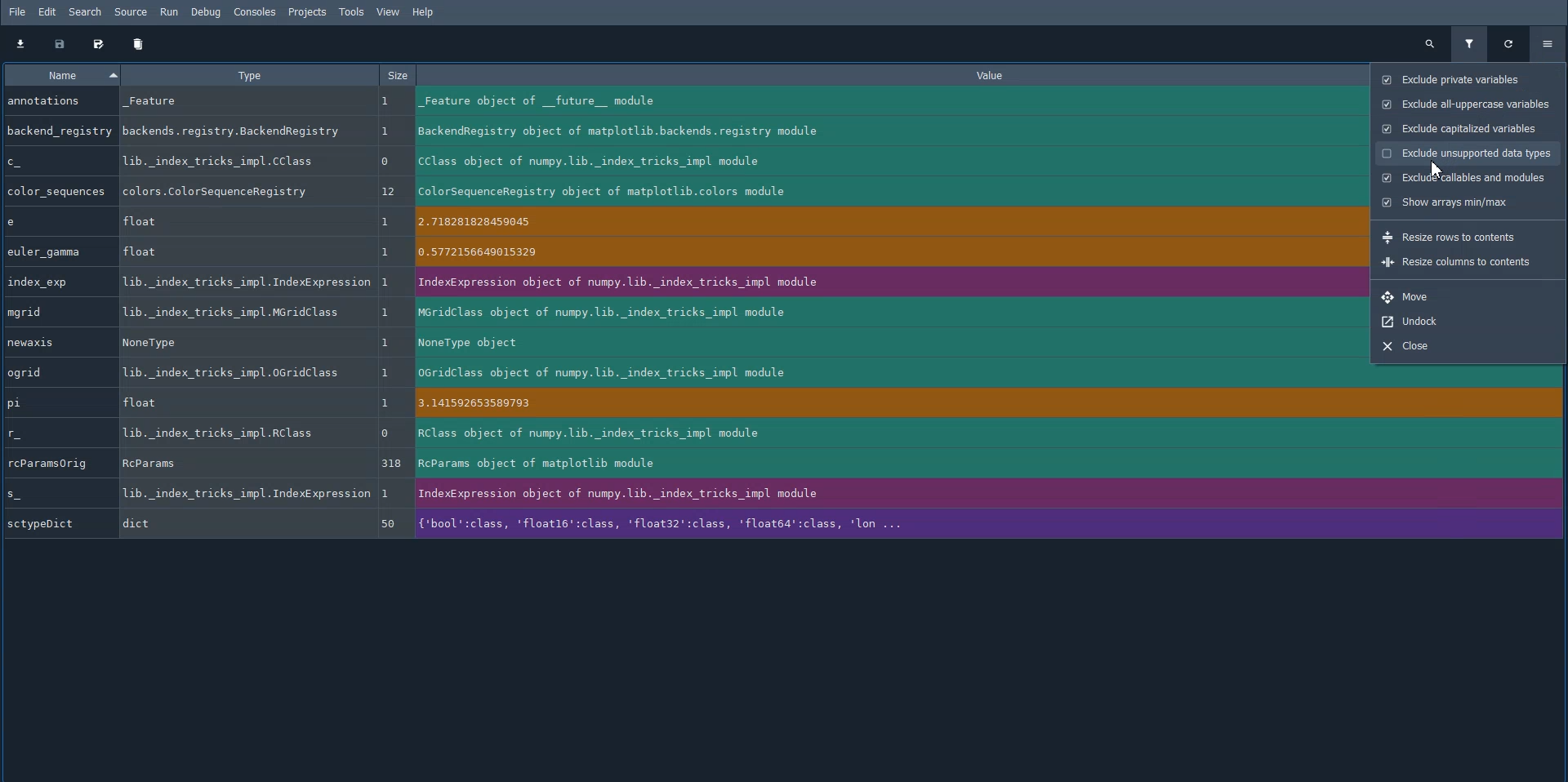  I want to click on _Feature object of _ future__ module, so click(867, 102).